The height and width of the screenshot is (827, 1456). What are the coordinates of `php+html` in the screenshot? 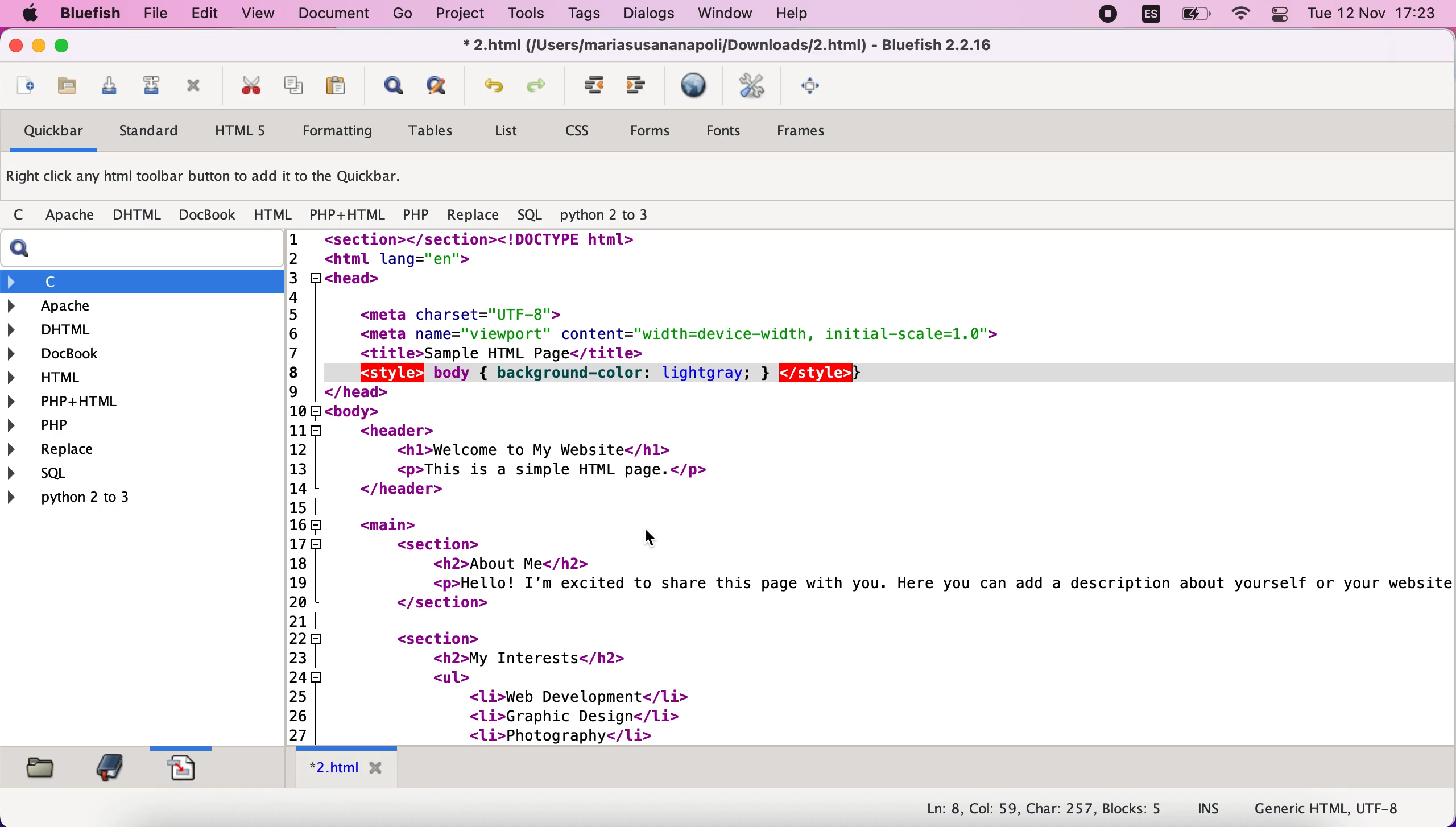 It's located at (349, 214).